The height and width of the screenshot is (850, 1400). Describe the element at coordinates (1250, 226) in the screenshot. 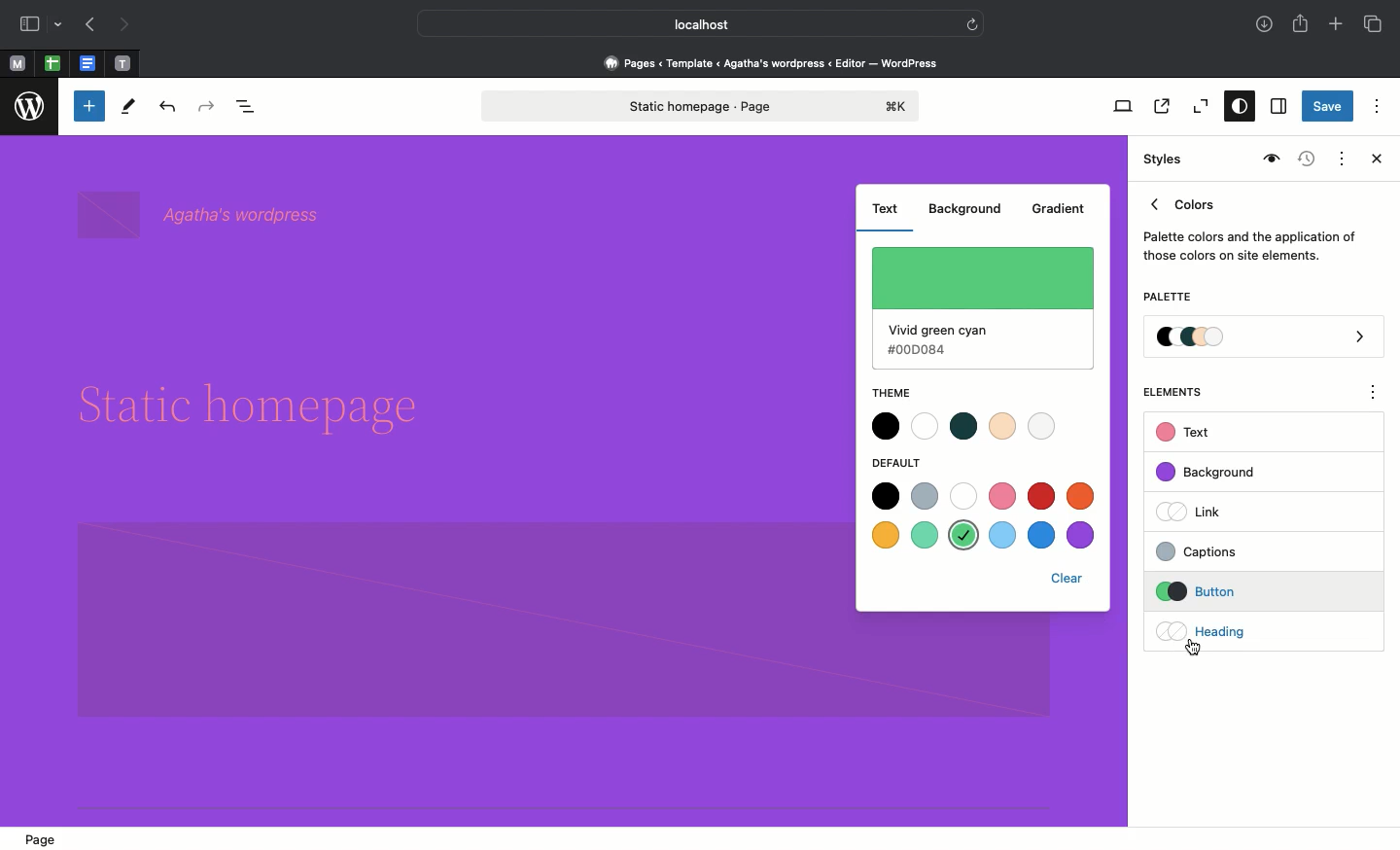

I see `Colors` at that location.